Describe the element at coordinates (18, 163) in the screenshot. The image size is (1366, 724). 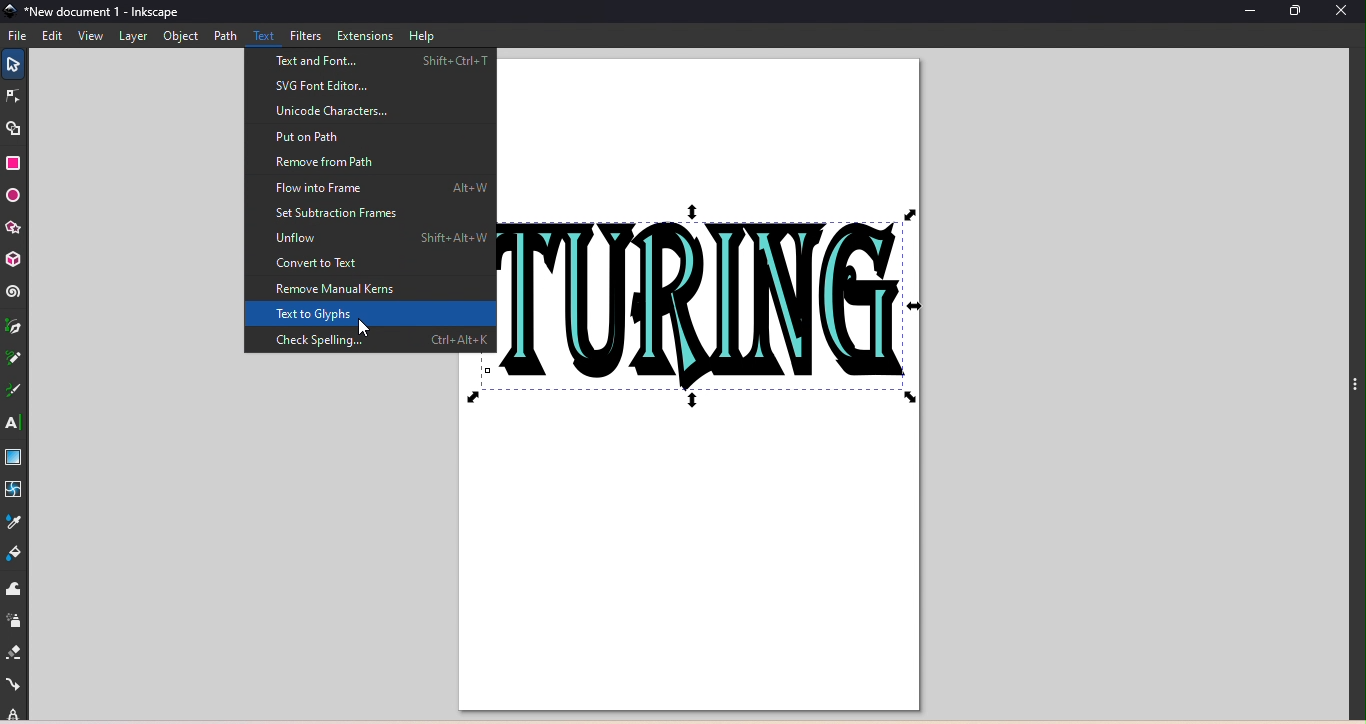
I see `Rectangle tool` at that location.